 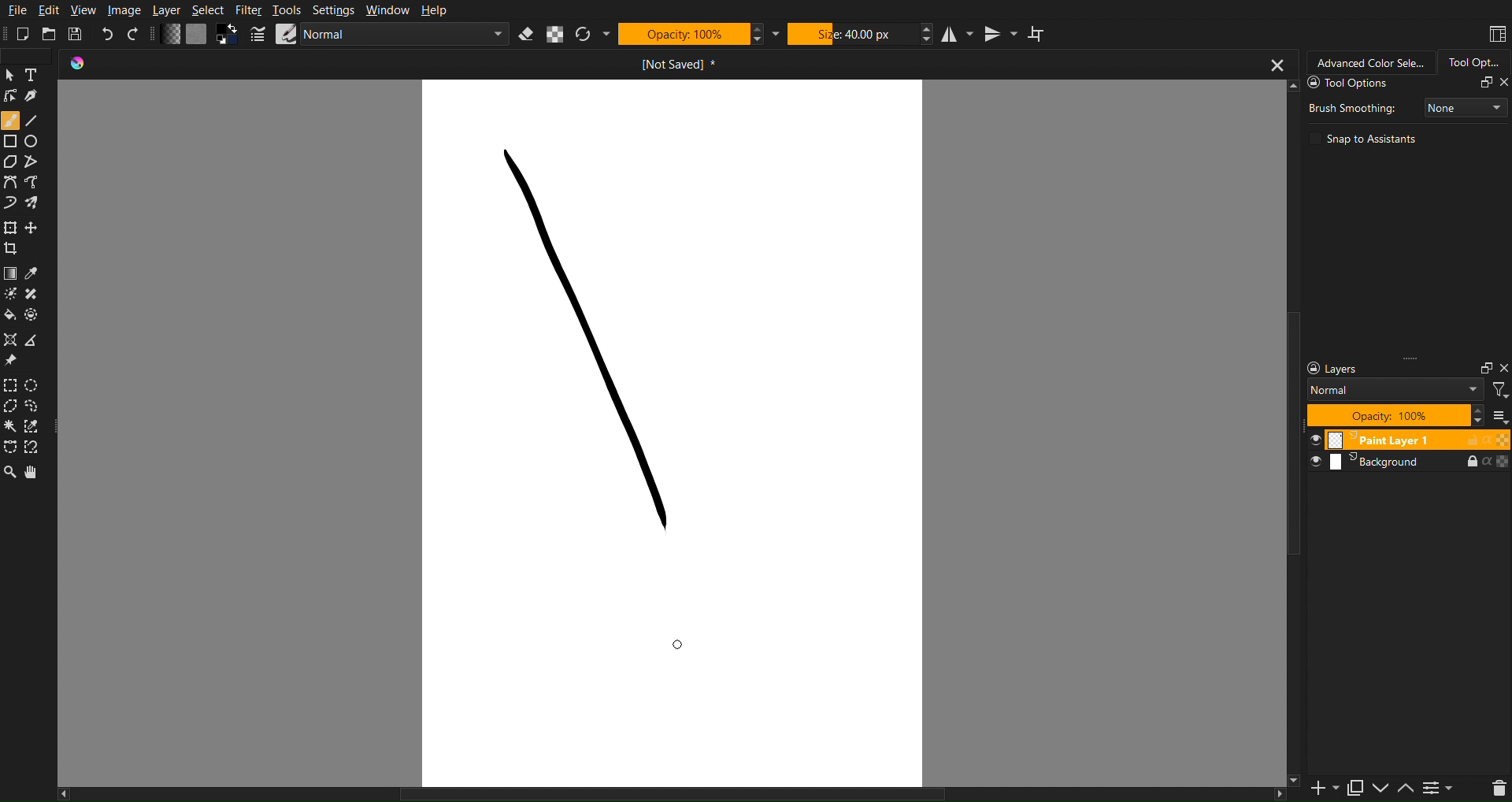 What do you see at coordinates (682, 35) in the screenshot?
I see `Opacity` at bounding box center [682, 35].